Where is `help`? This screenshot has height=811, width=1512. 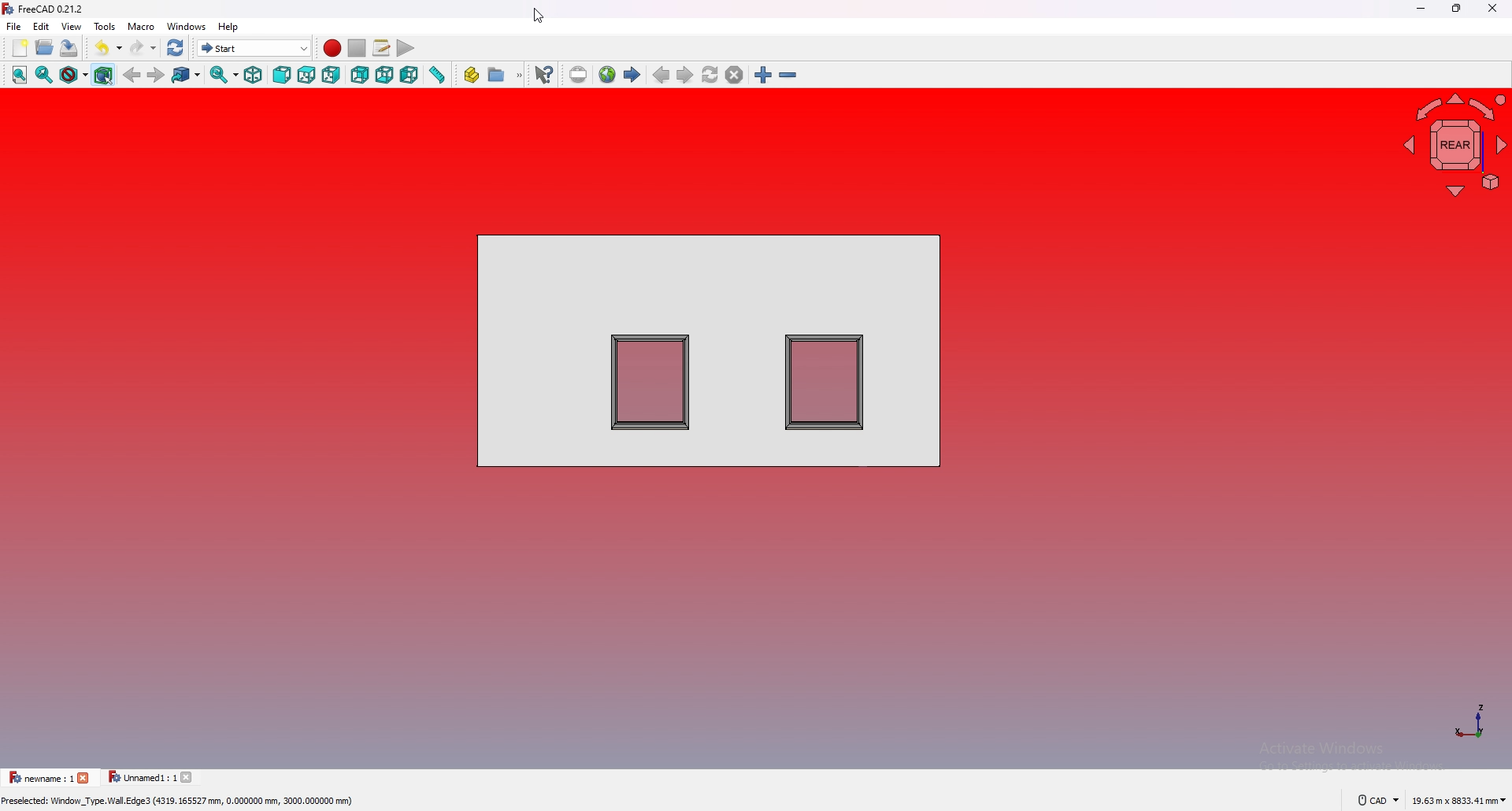
help is located at coordinates (228, 27).